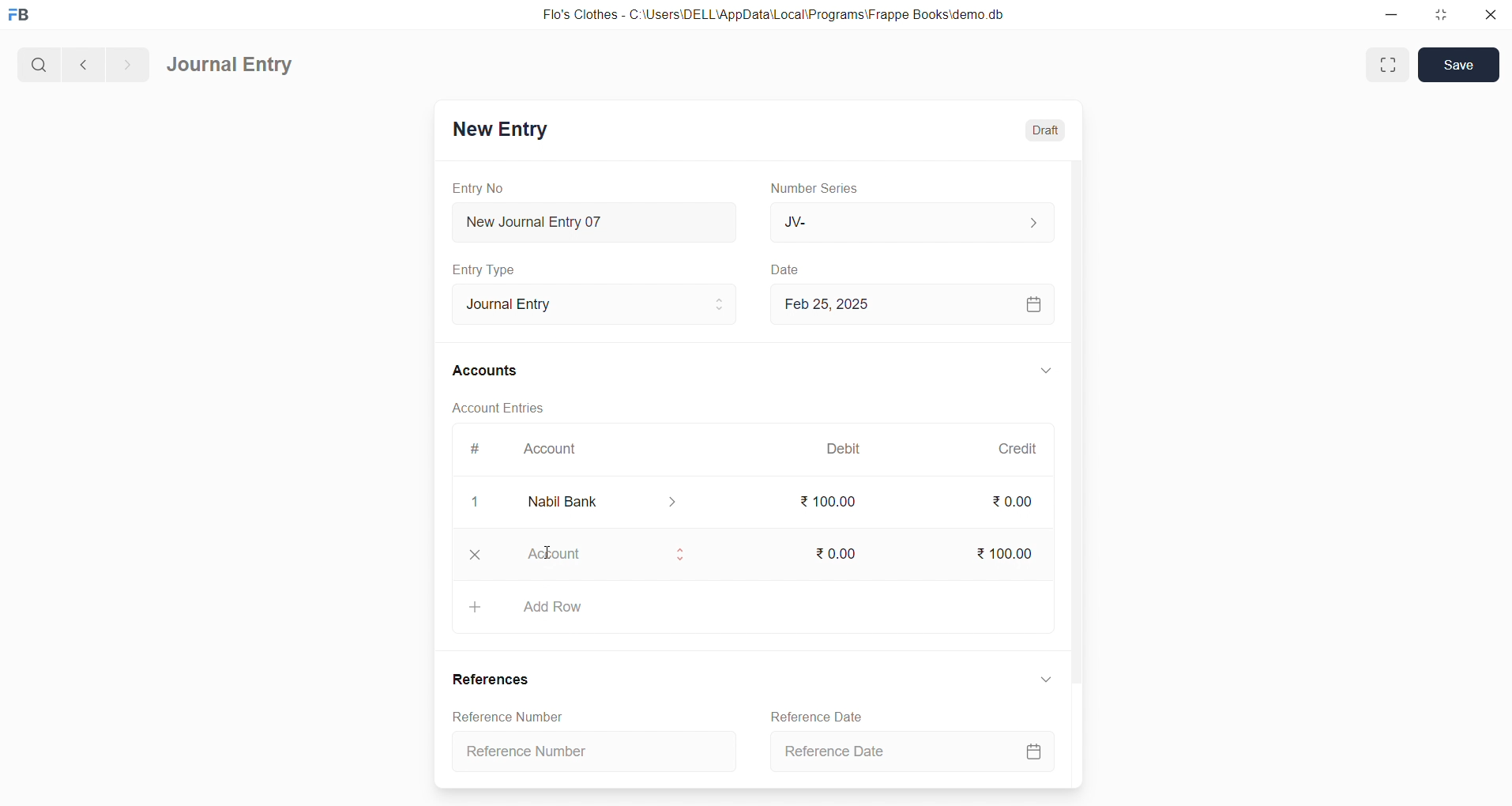 This screenshot has width=1512, height=806. What do you see at coordinates (127, 62) in the screenshot?
I see `navigate forward` at bounding box center [127, 62].